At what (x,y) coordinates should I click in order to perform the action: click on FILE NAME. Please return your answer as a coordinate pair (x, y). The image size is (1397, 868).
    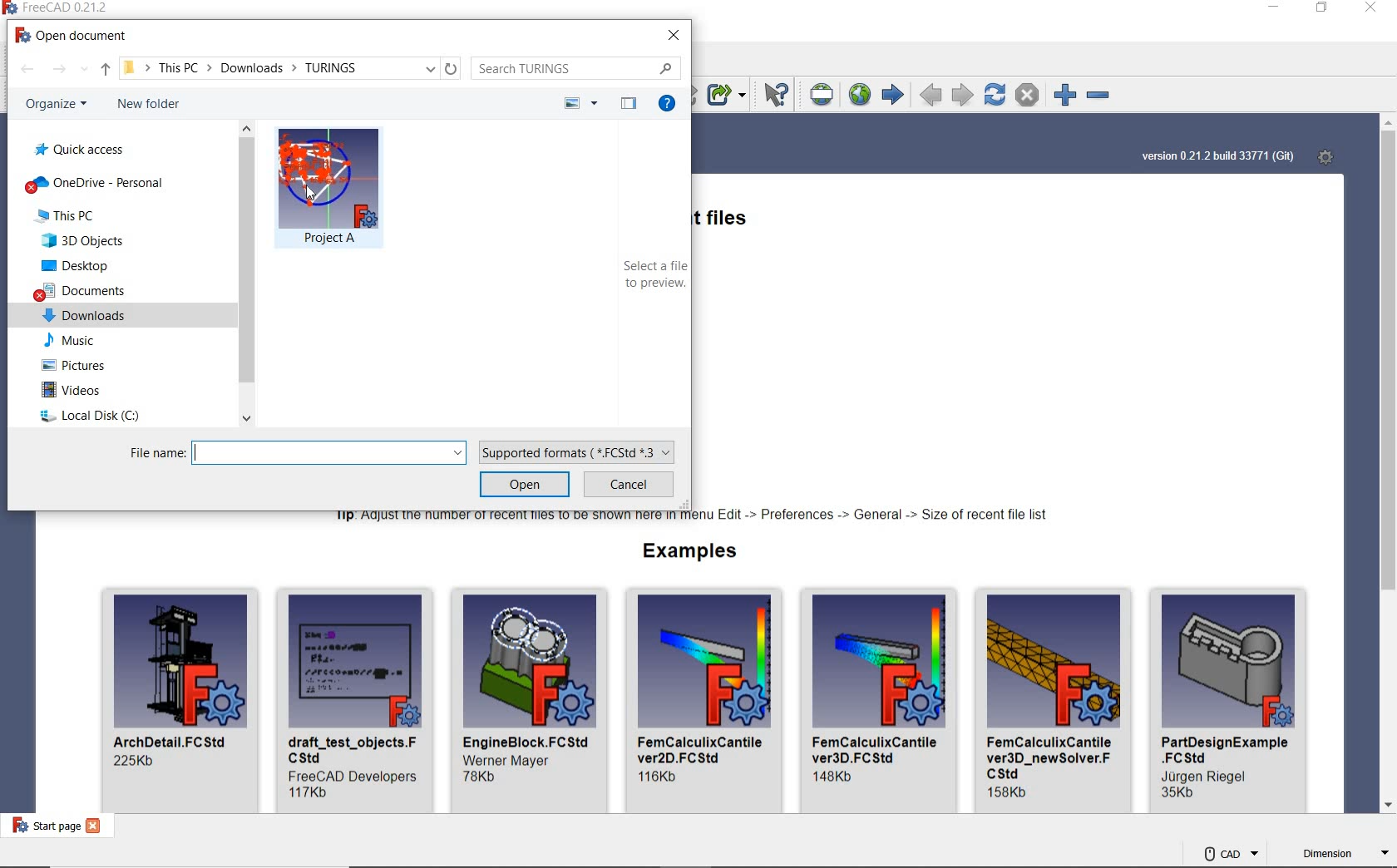
    Looking at the image, I should click on (329, 455).